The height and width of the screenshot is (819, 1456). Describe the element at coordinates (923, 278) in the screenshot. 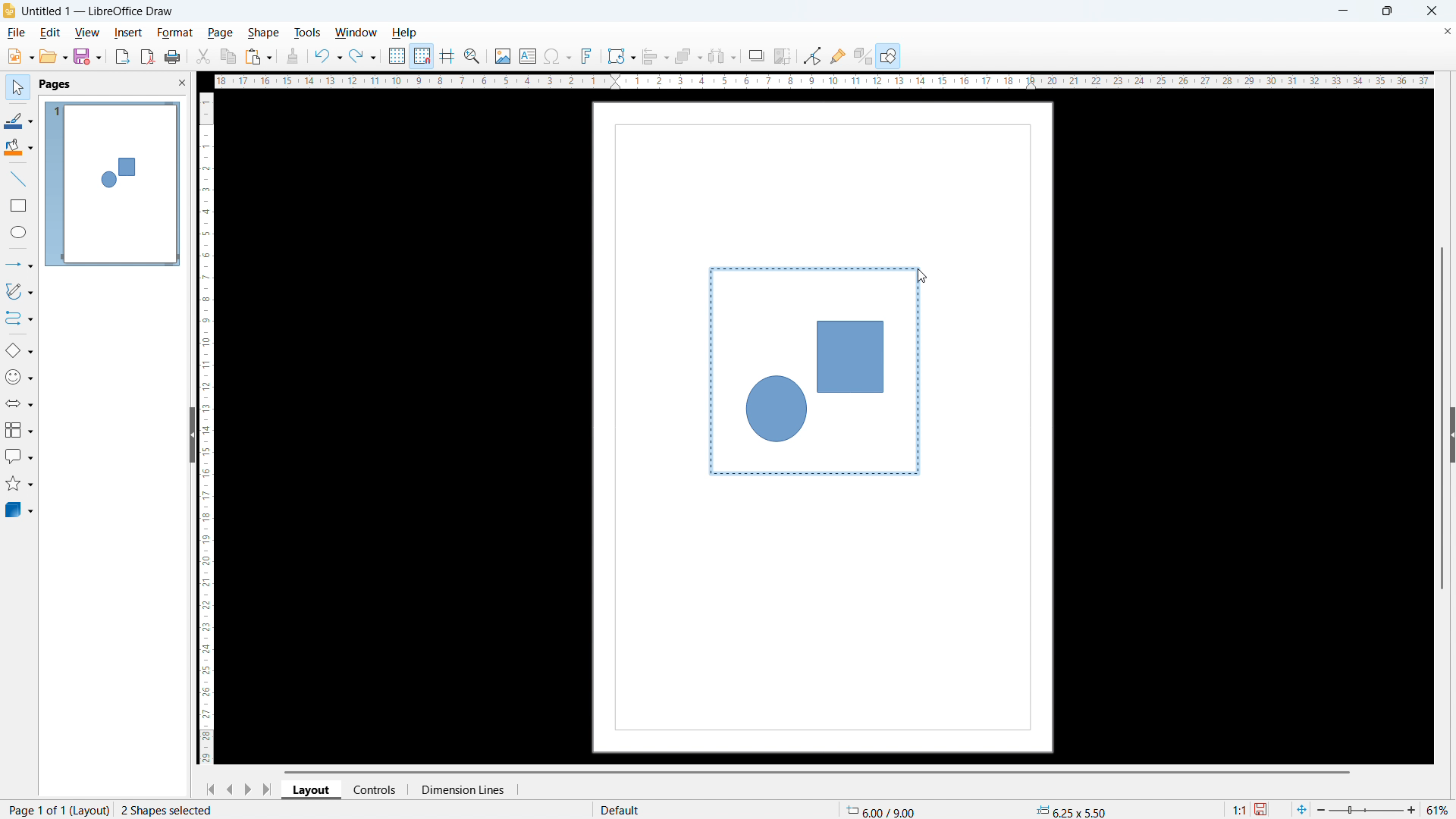

I see `cursor` at that location.